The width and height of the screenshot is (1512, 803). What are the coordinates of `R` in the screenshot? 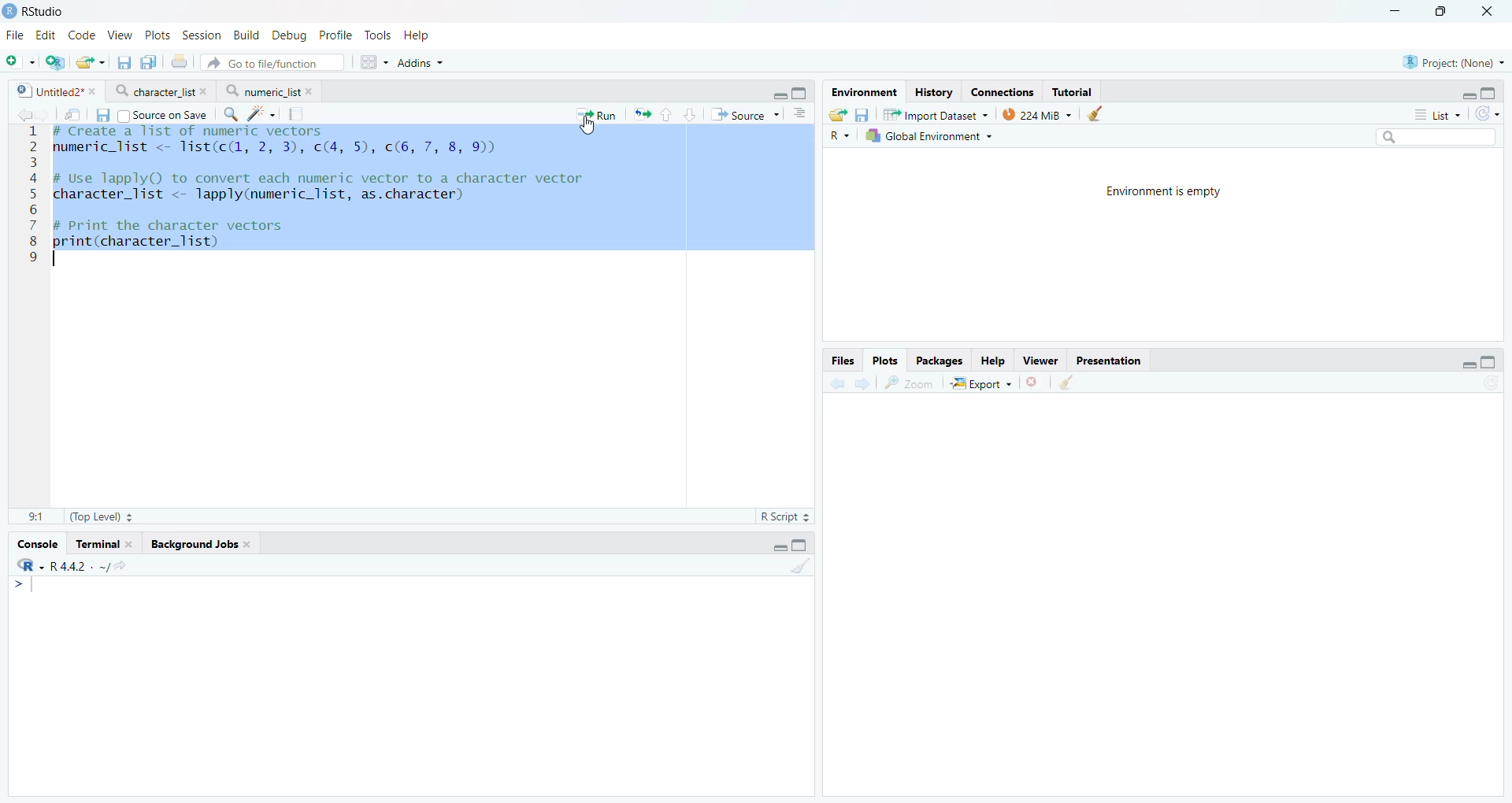 It's located at (839, 135).